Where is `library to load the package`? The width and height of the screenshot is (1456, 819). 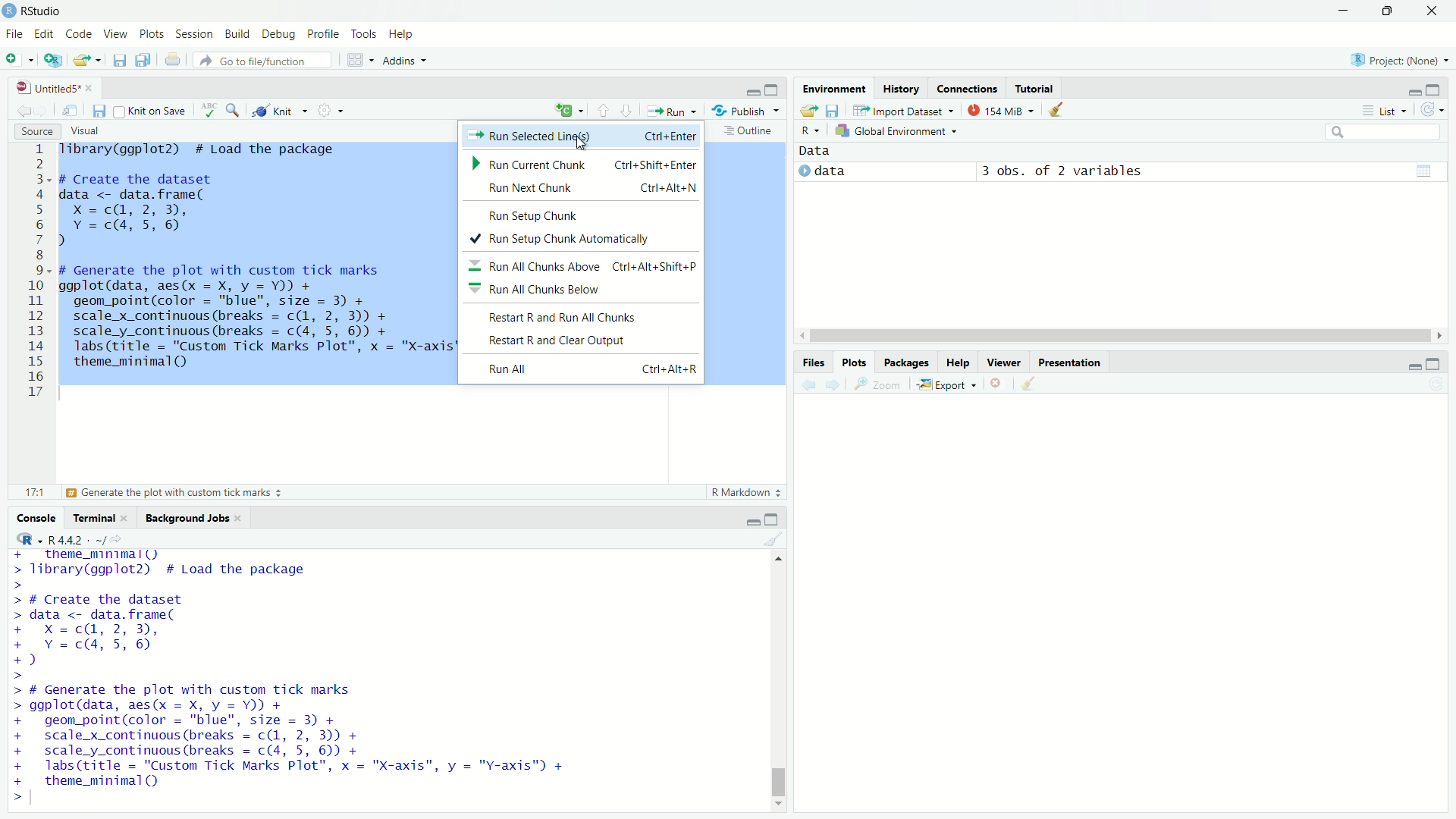 library to load the package is located at coordinates (204, 563).